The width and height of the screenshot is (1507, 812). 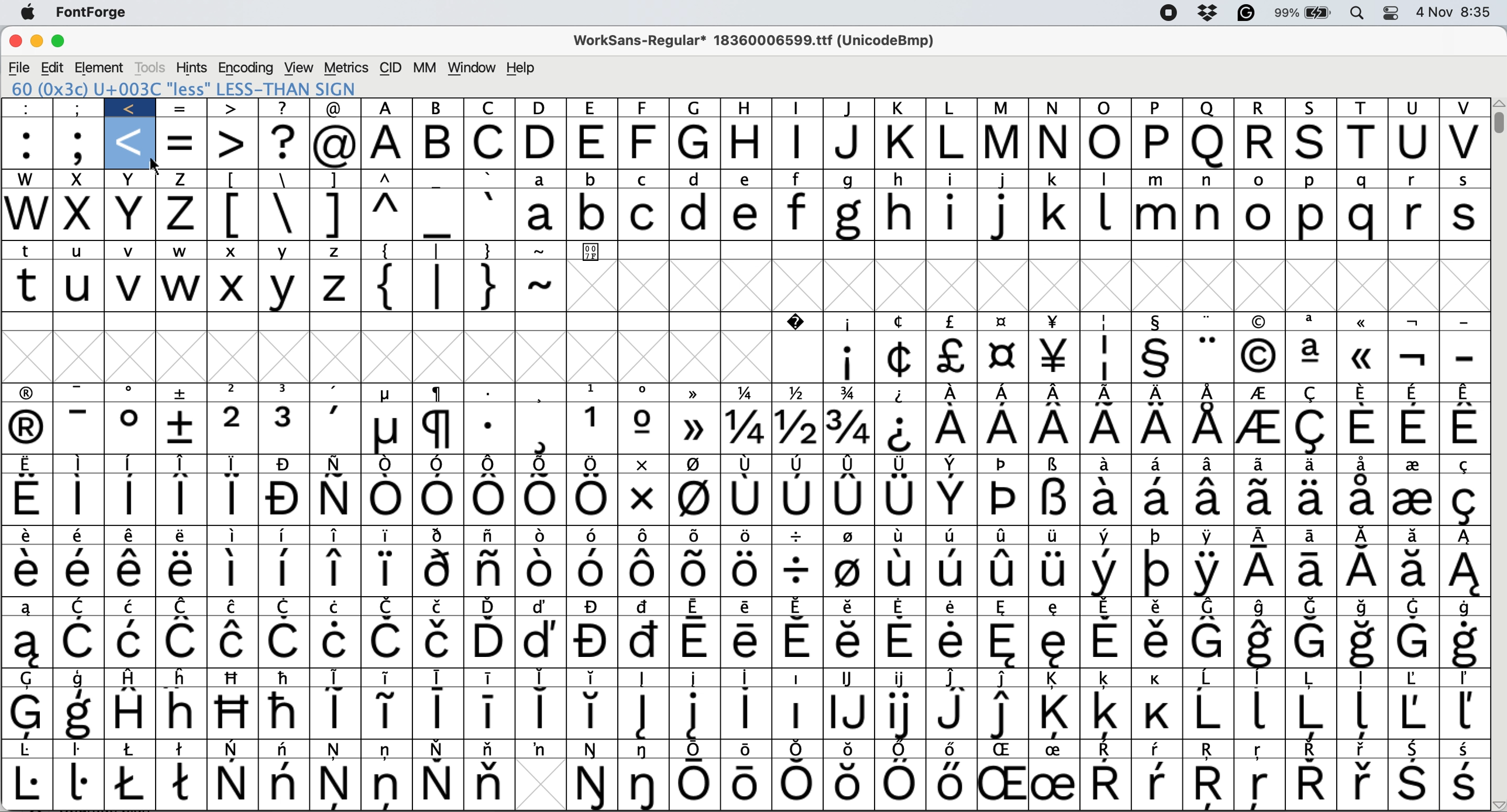 What do you see at coordinates (593, 425) in the screenshot?
I see `Symbol` at bounding box center [593, 425].